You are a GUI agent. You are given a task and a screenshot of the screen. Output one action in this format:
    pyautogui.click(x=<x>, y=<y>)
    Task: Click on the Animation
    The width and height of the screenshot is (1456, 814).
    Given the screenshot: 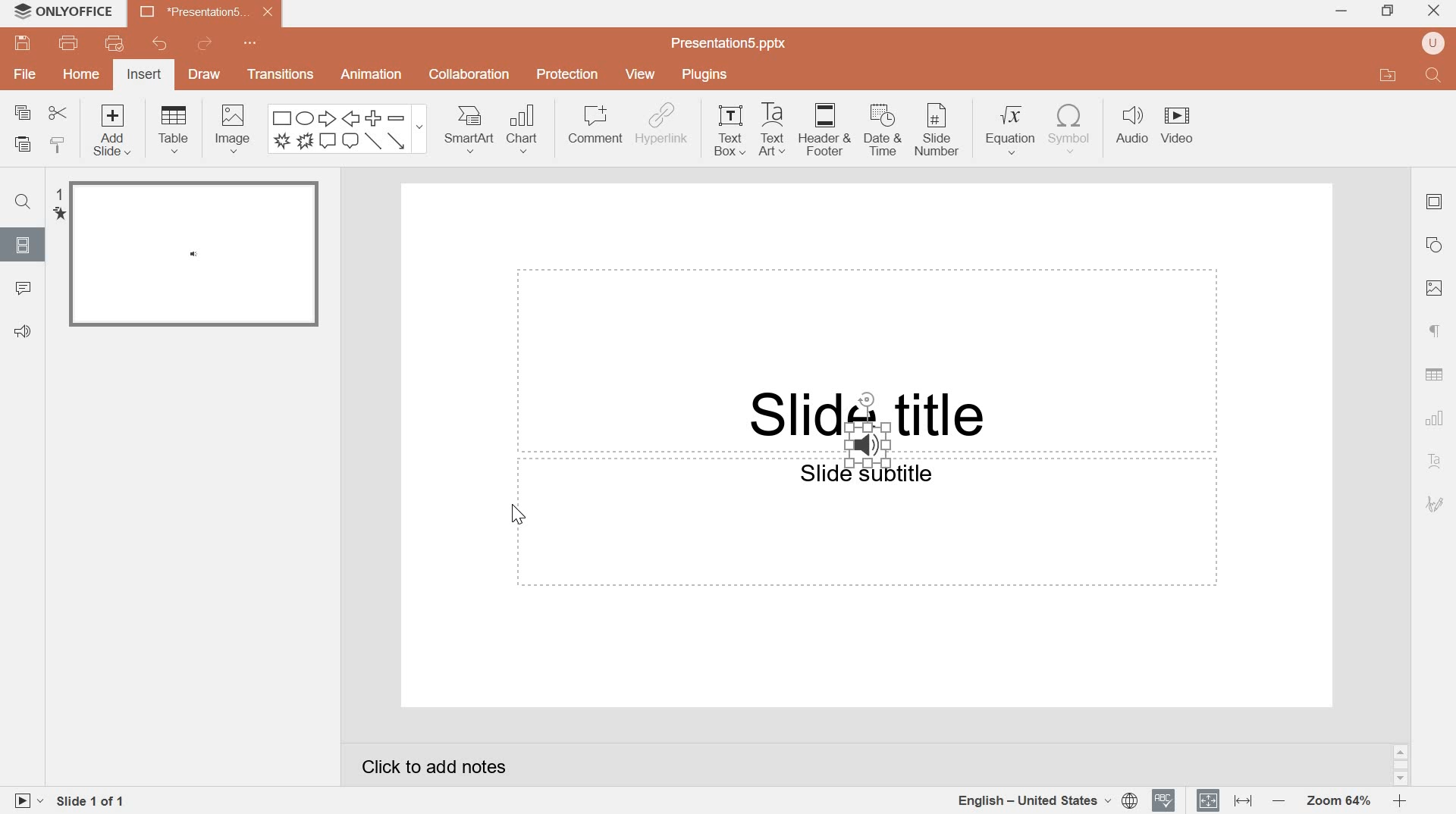 What is the action you would take?
    pyautogui.click(x=372, y=74)
    